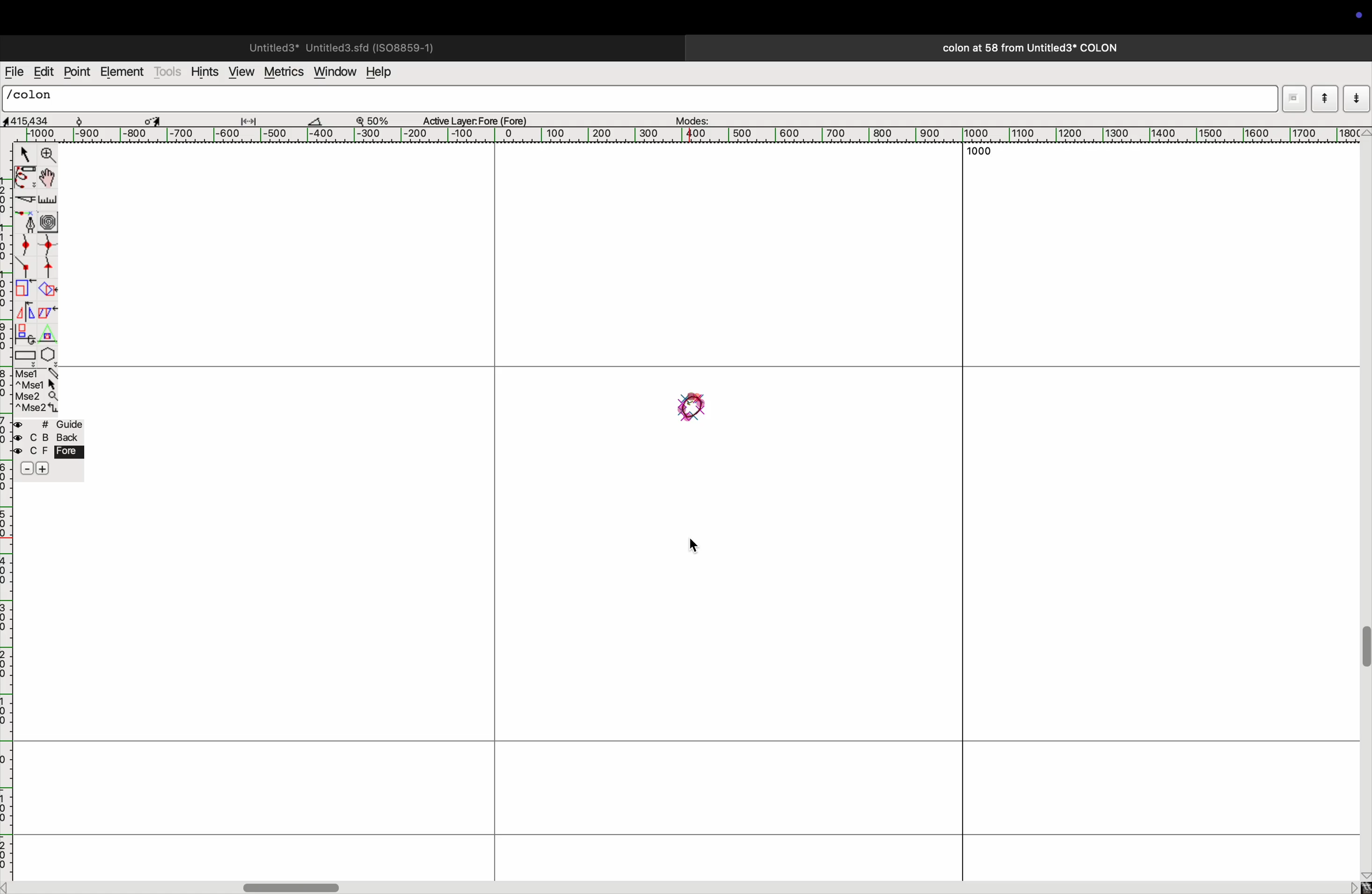 The height and width of the screenshot is (894, 1372). I want to click on modes, so click(694, 118).